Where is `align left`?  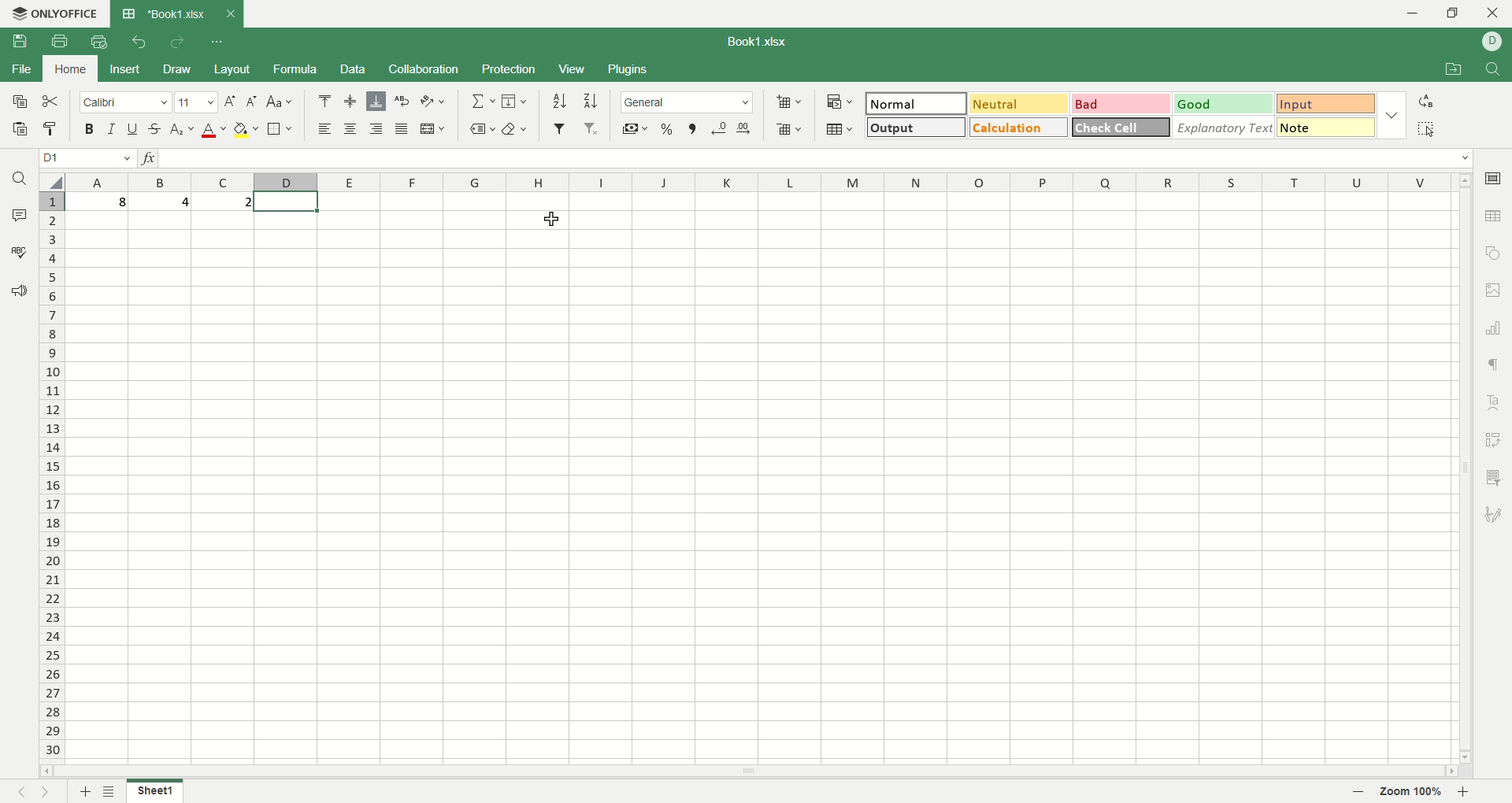 align left is located at coordinates (375, 130).